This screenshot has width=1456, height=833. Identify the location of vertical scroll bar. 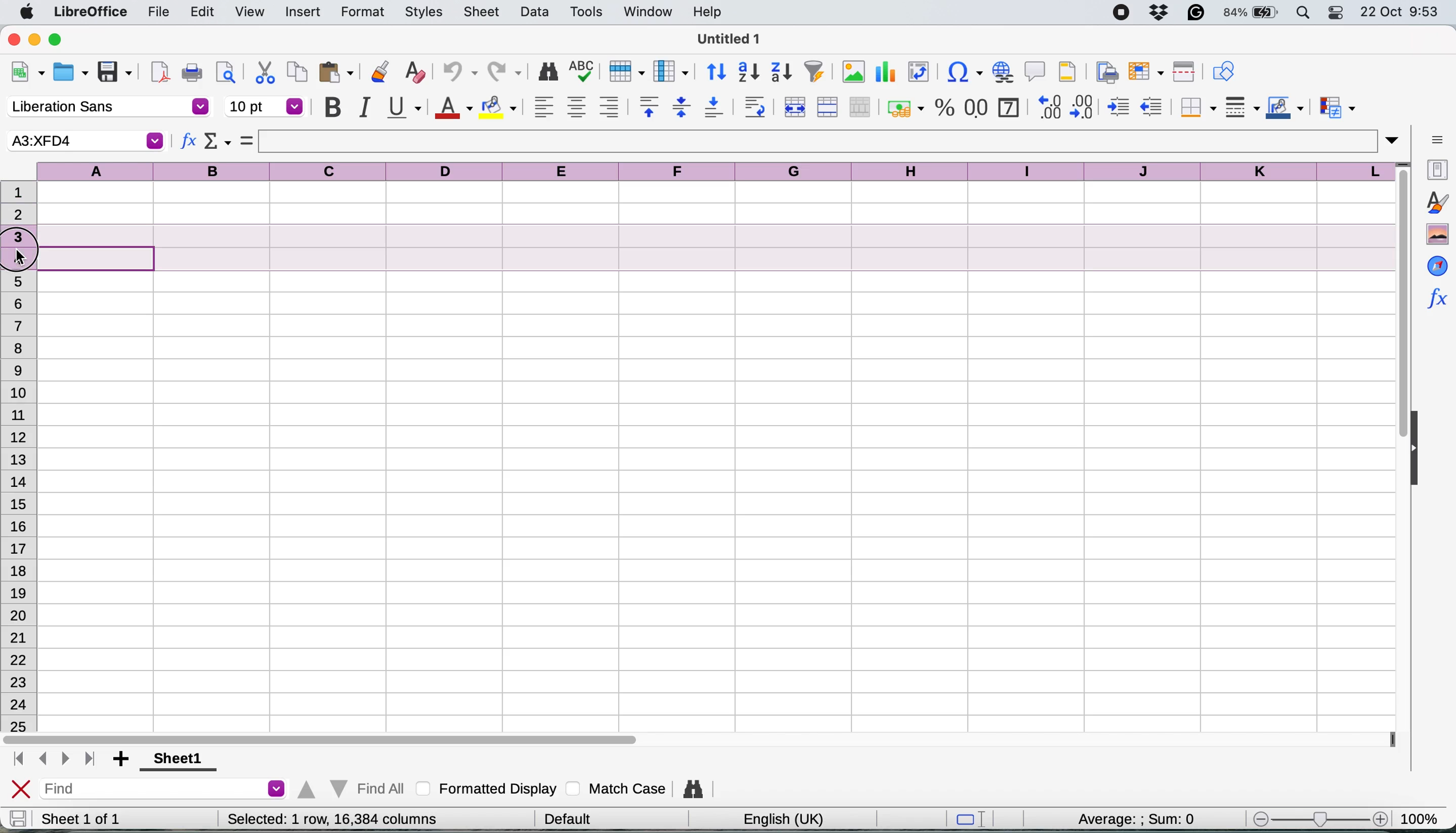
(1394, 312).